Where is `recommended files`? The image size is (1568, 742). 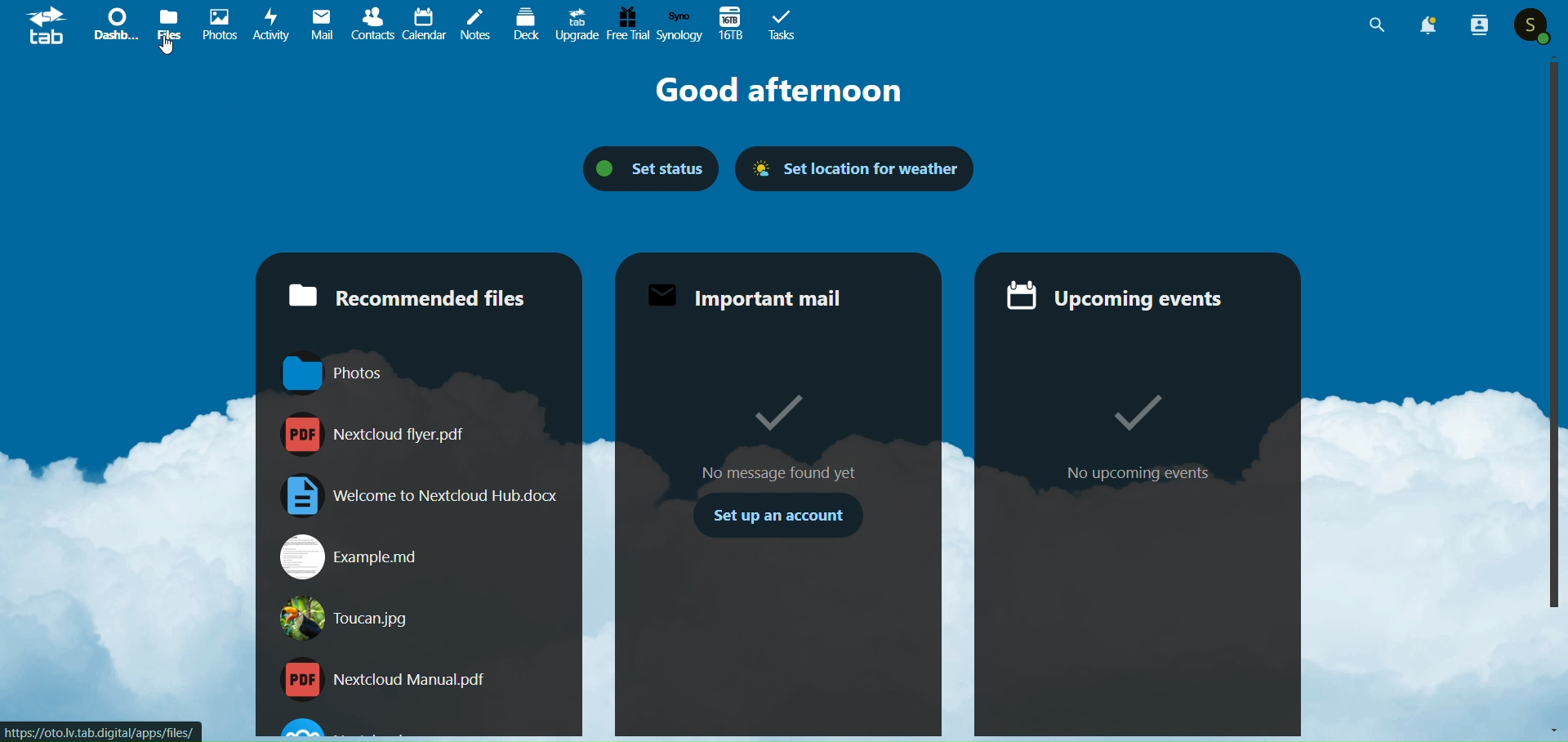 recommended files is located at coordinates (415, 297).